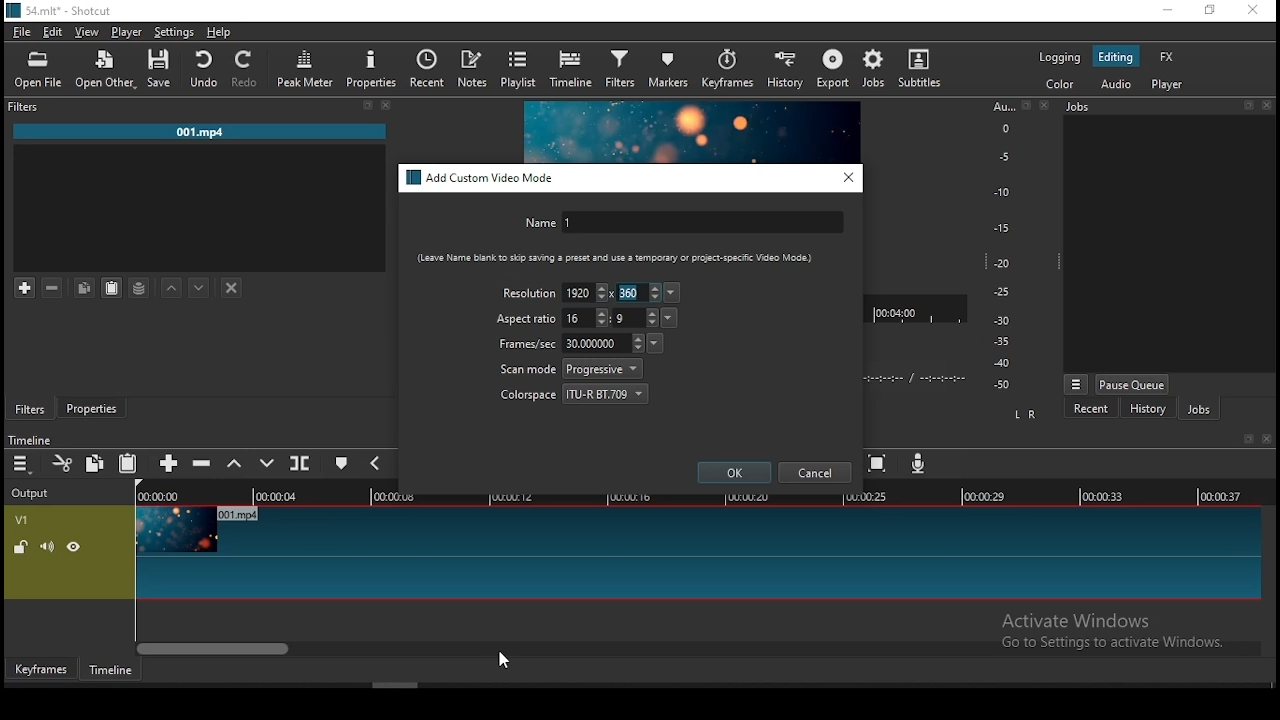 This screenshot has width=1280, height=720. What do you see at coordinates (681, 224) in the screenshot?
I see `name` at bounding box center [681, 224].